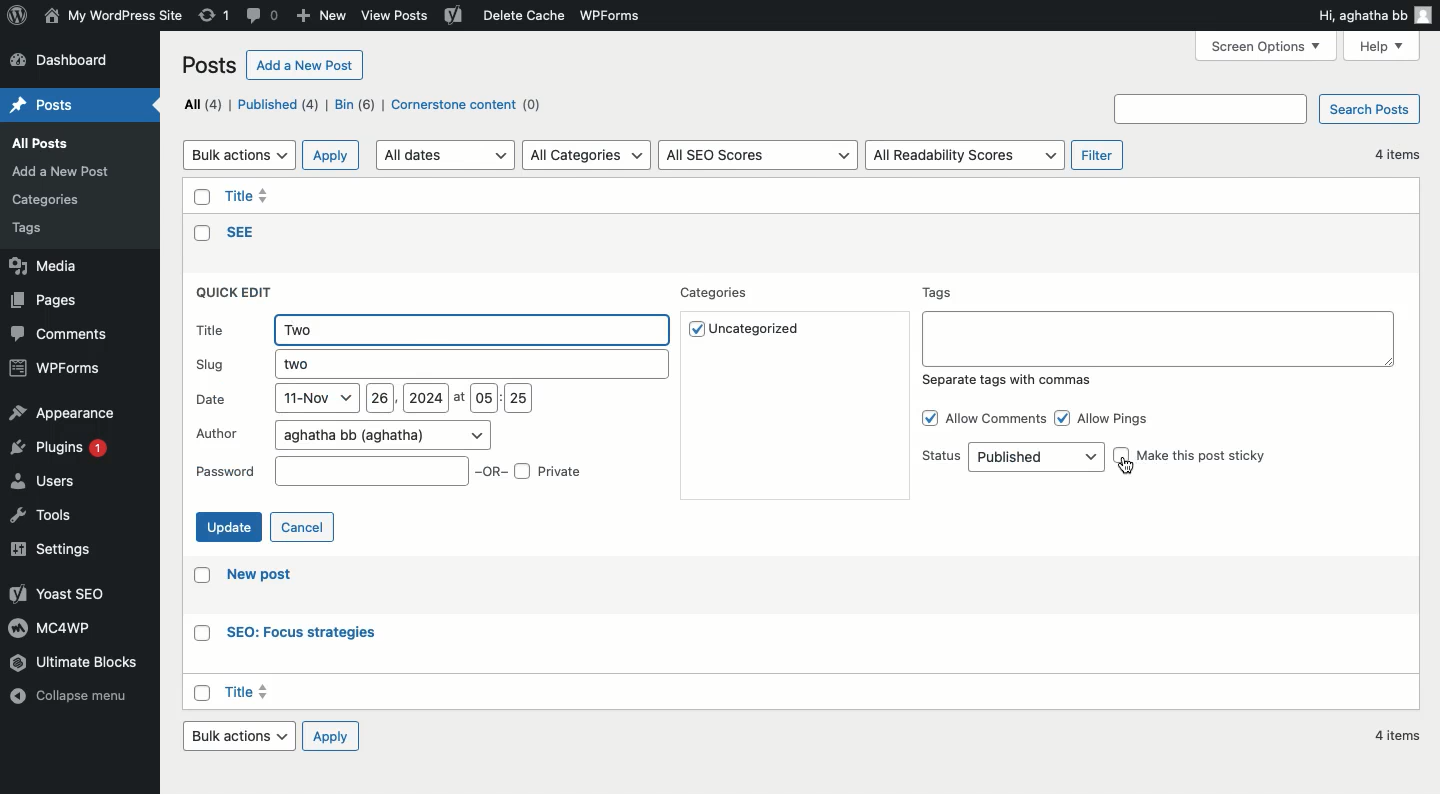 This screenshot has height=794, width=1440. I want to click on MC4WP, so click(48, 627).